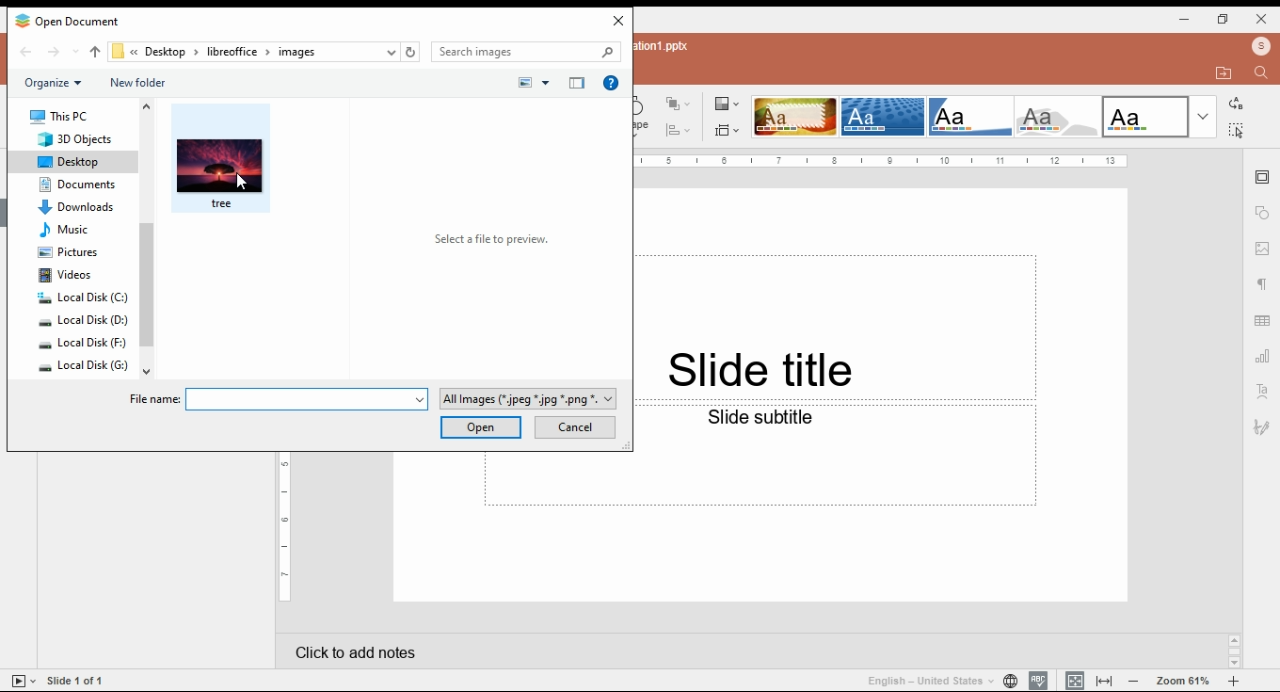 Image resolution: width=1280 pixels, height=692 pixels. Describe the element at coordinates (75, 139) in the screenshot. I see `3D objects` at that location.